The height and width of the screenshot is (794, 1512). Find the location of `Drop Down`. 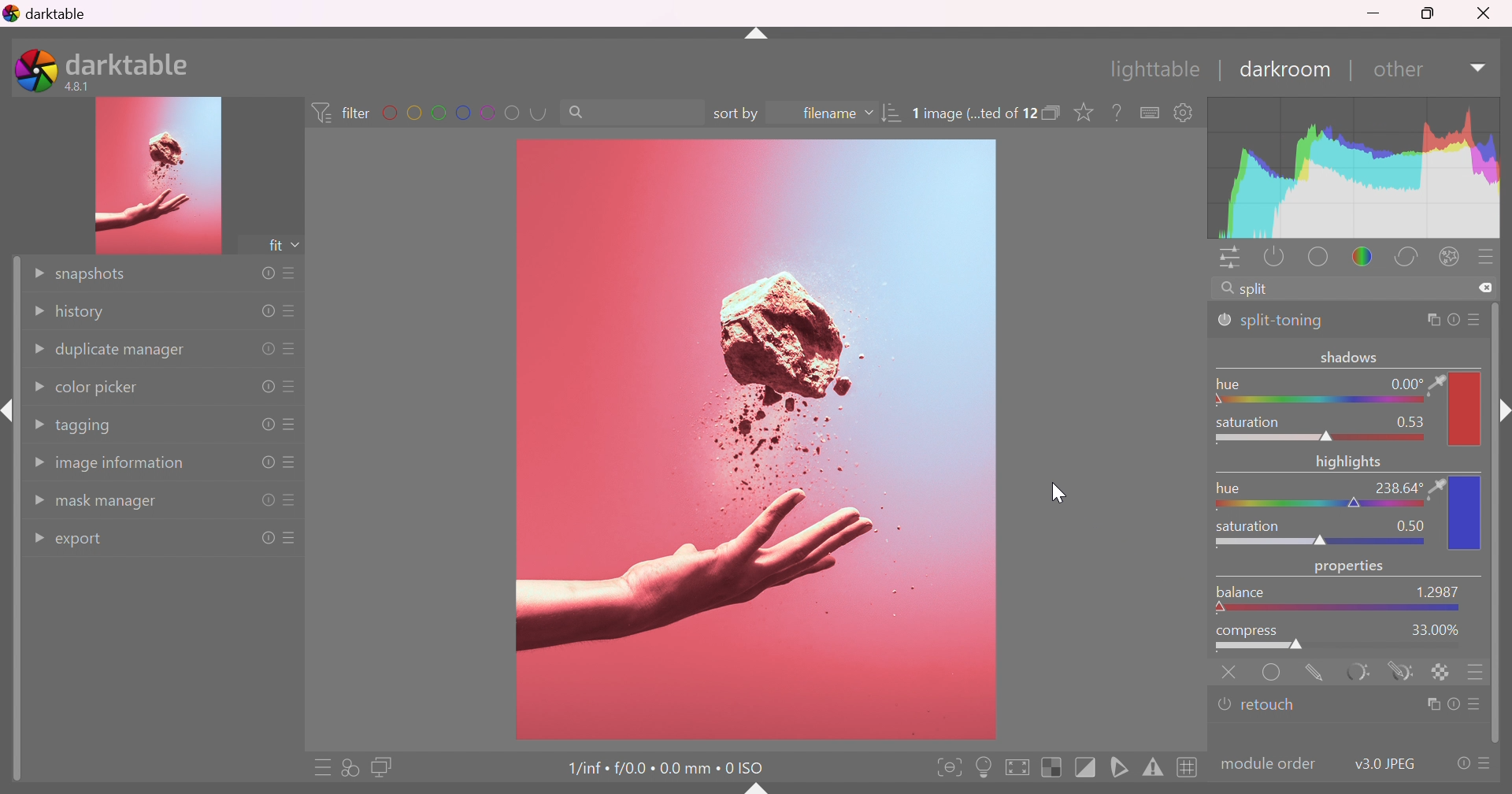

Drop Down is located at coordinates (37, 273).